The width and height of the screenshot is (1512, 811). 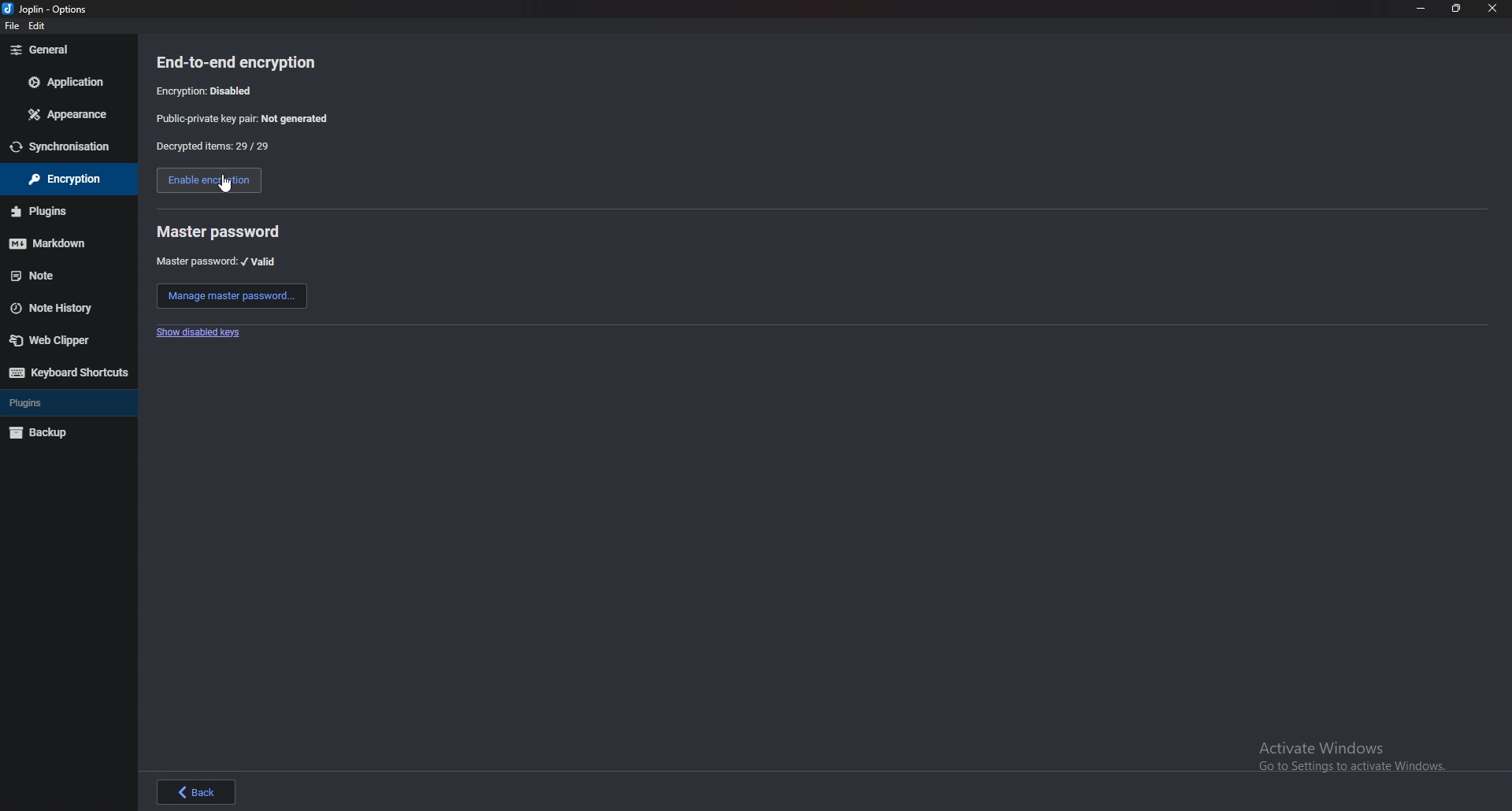 I want to click on , so click(x=225, y=185).